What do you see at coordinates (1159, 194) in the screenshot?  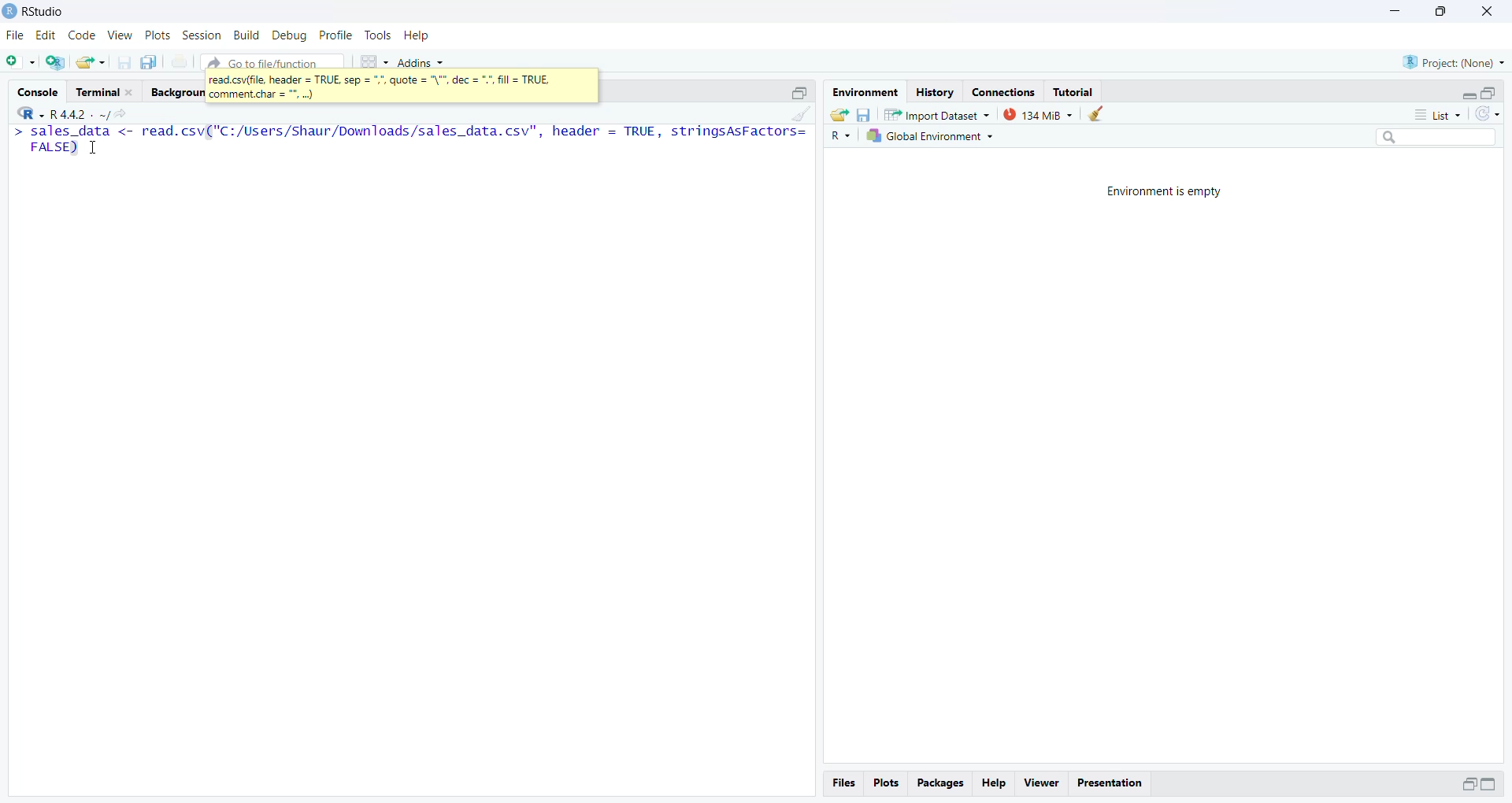 I see `Environment is empty` at bounding box center [1159, 194].